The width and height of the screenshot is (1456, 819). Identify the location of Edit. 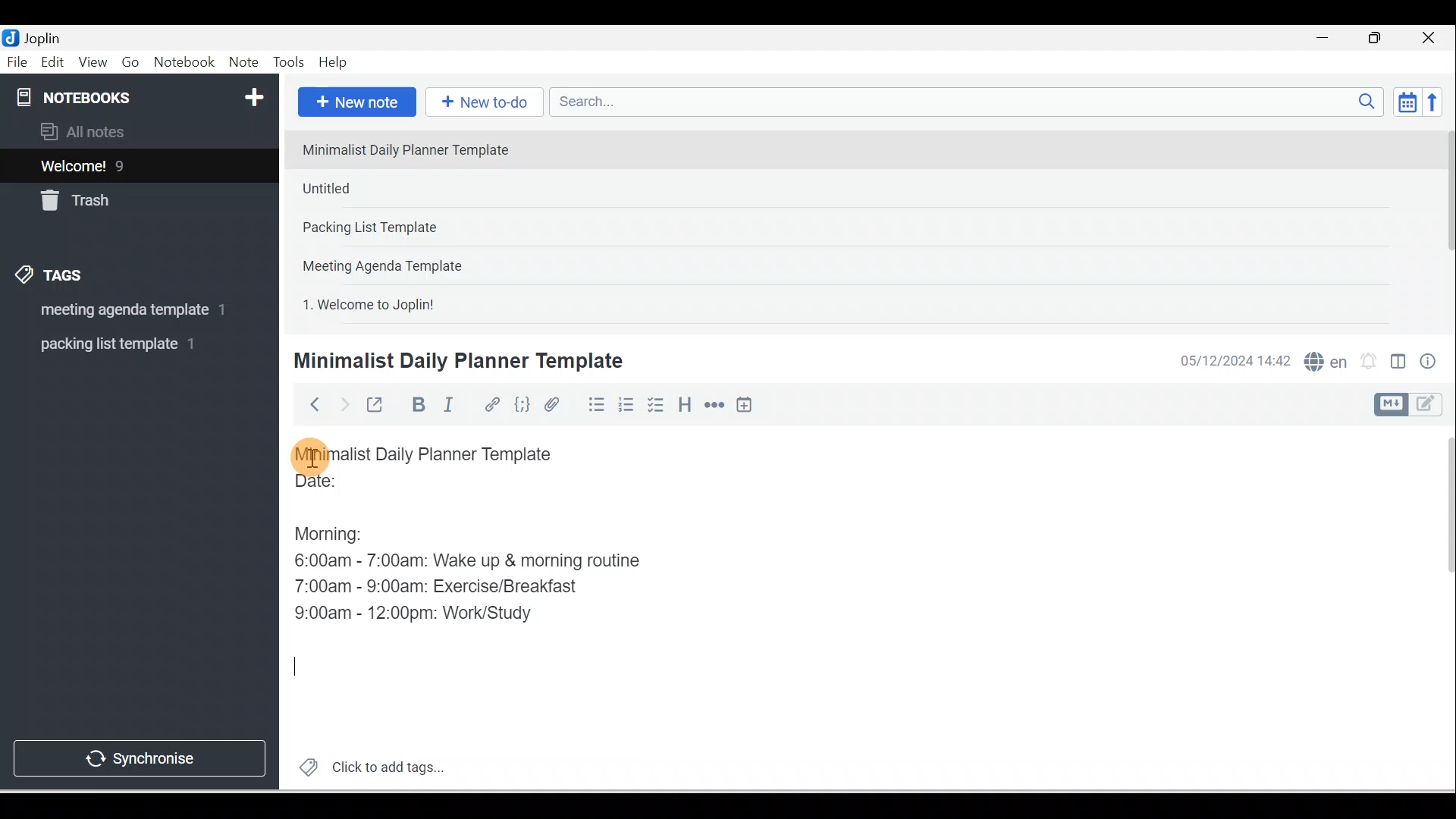
(54, 63).